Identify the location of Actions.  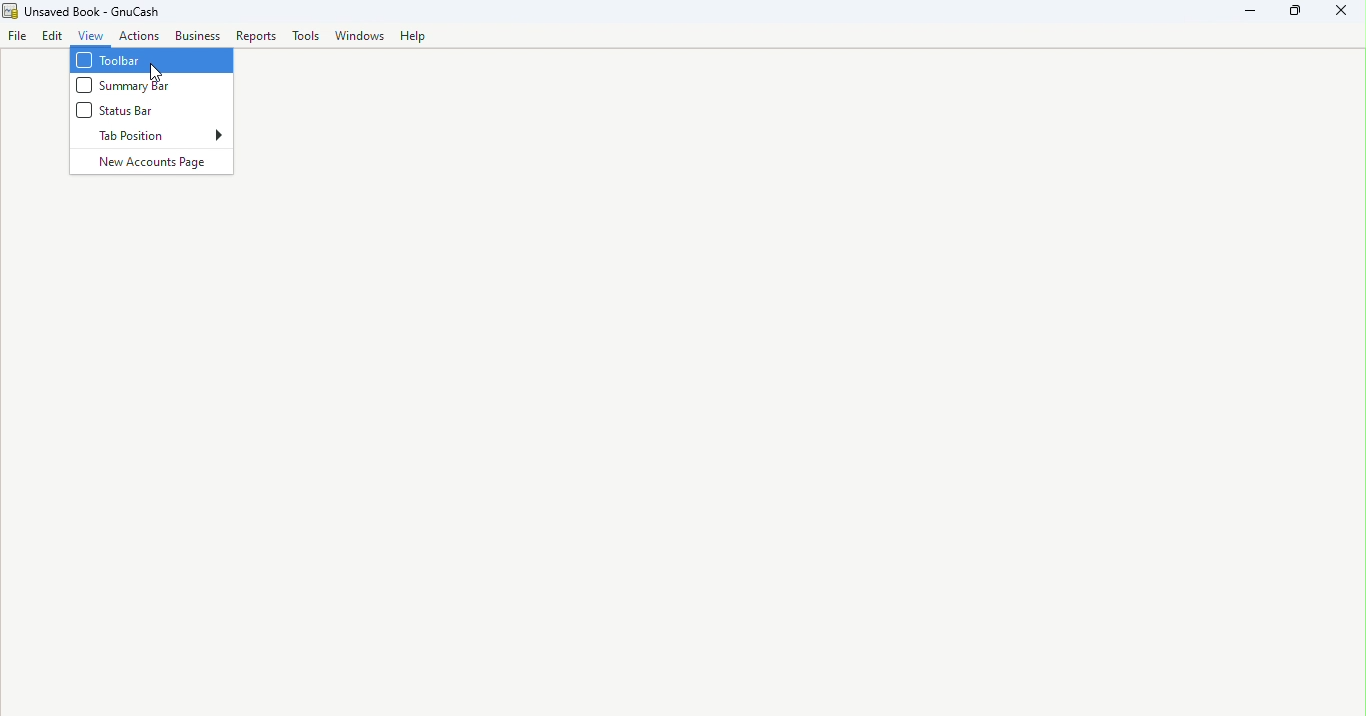
(141, 38).